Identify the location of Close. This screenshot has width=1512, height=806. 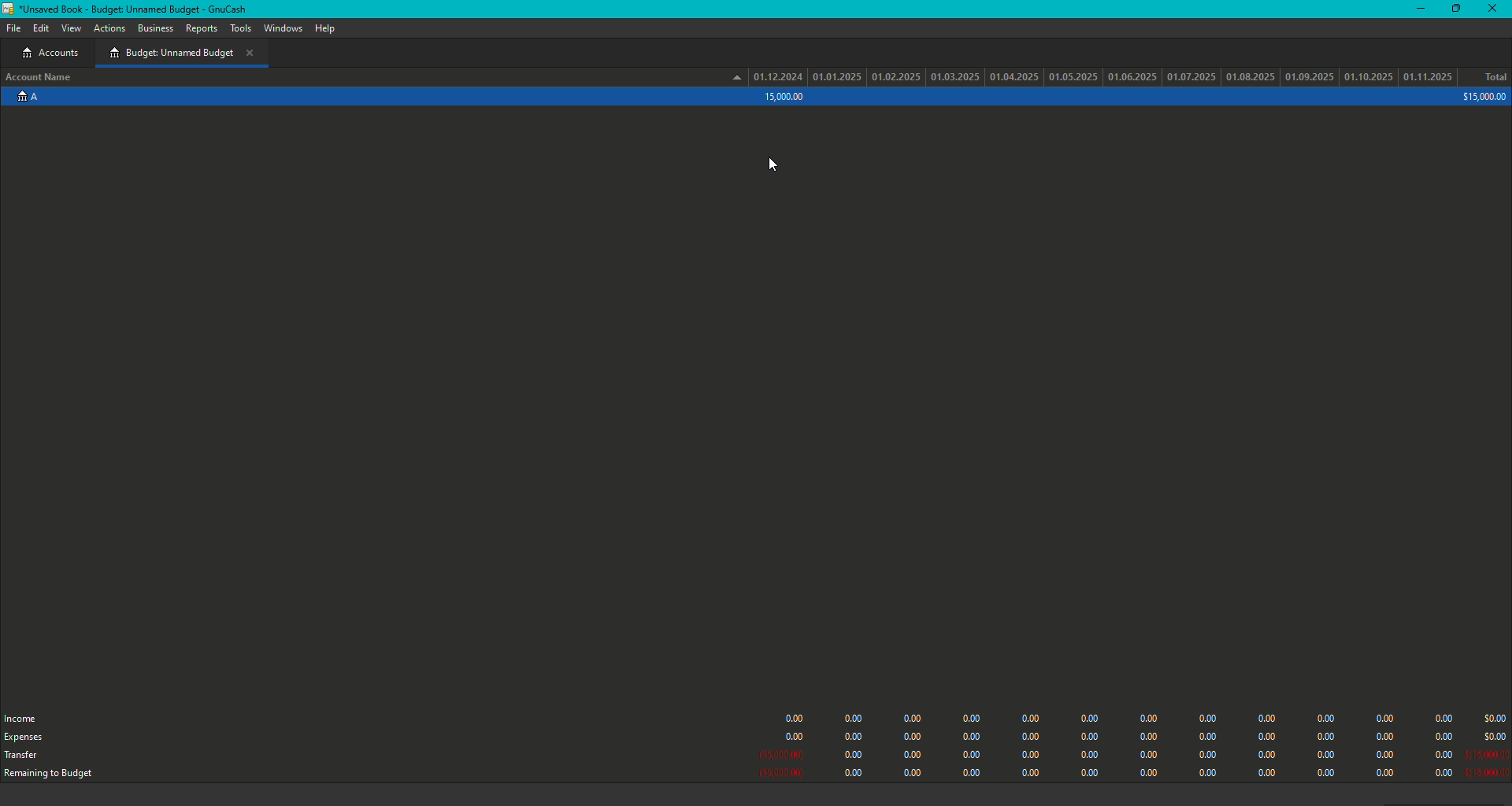
(1495, 9).